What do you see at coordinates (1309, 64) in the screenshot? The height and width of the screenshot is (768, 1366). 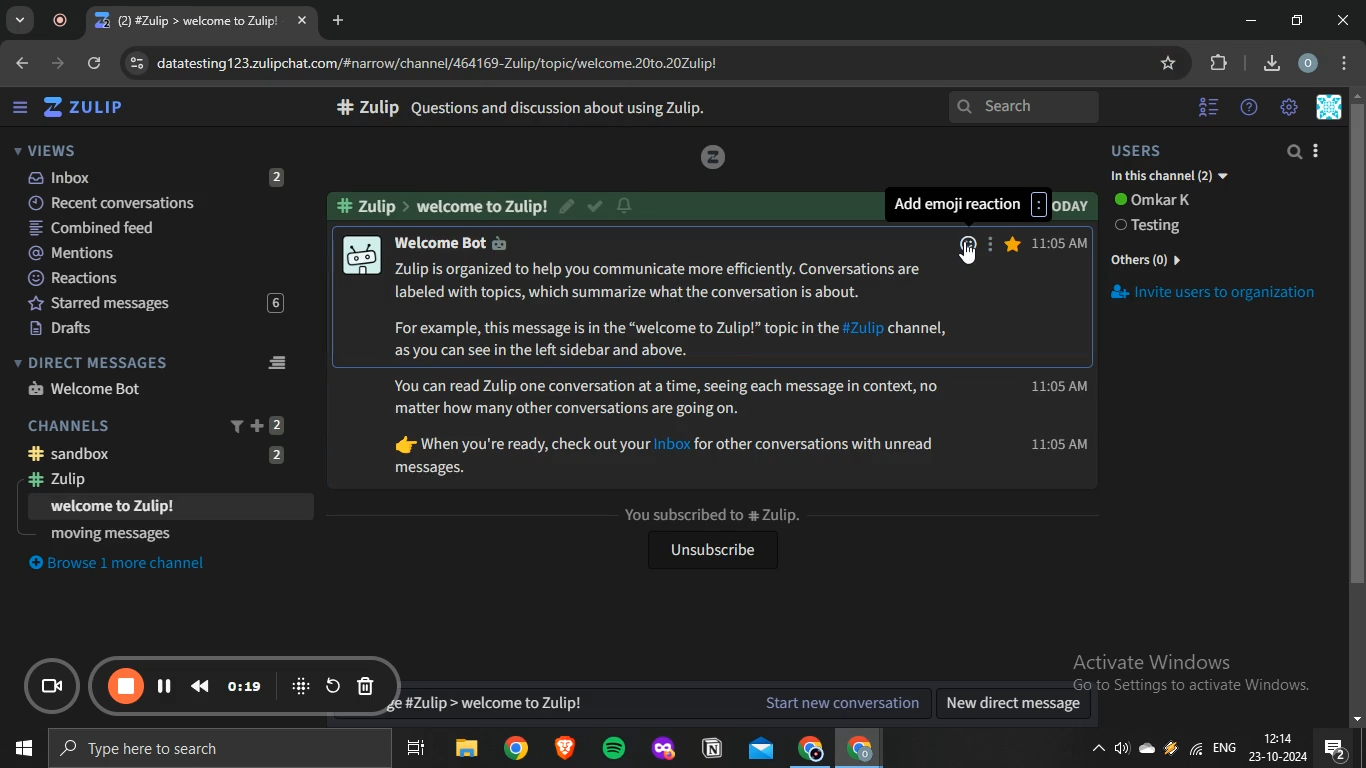 I see `account` at bounding box center [1309, 64].